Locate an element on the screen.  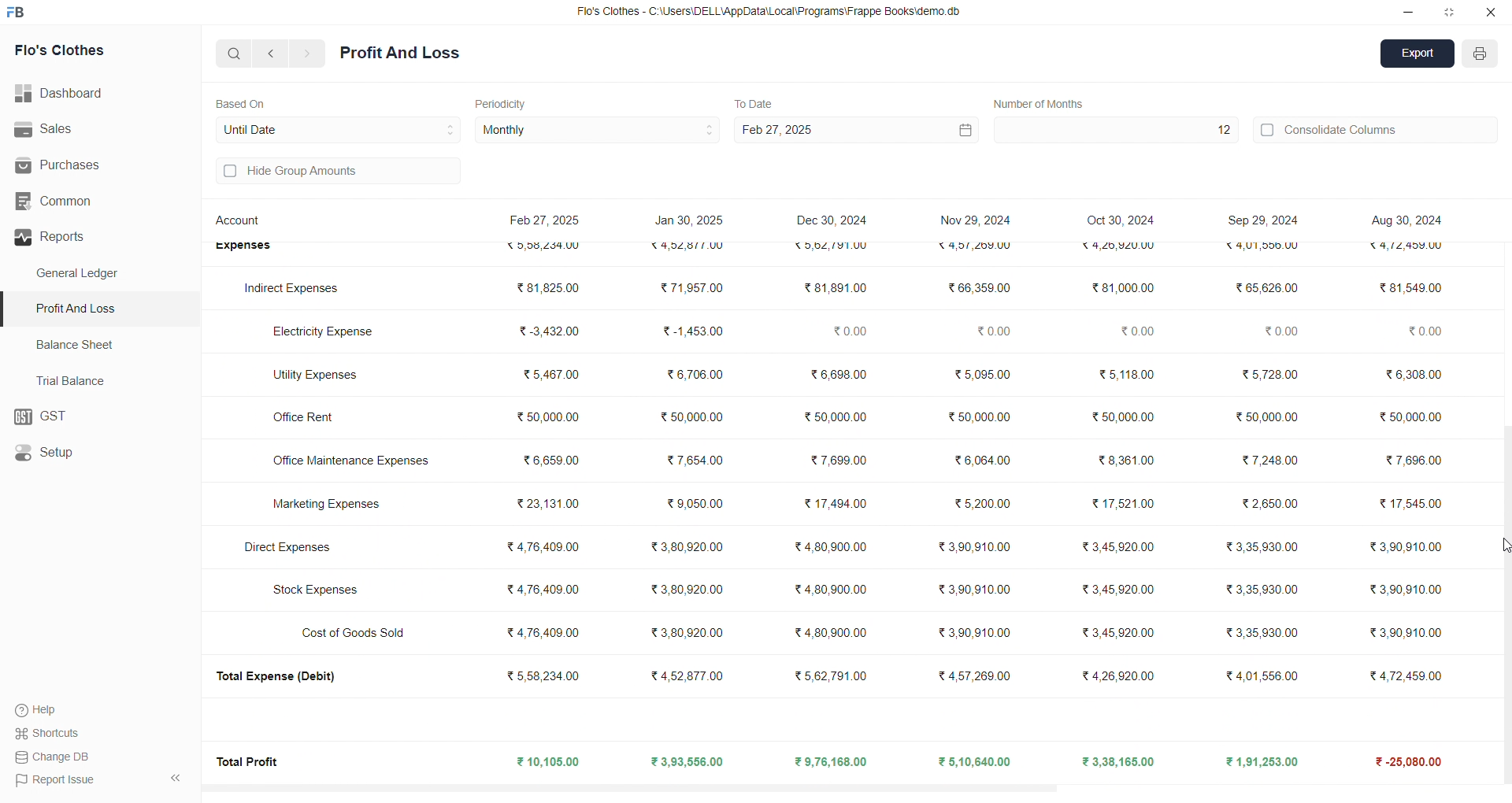
Until Date is located at coordinates (339, 128).